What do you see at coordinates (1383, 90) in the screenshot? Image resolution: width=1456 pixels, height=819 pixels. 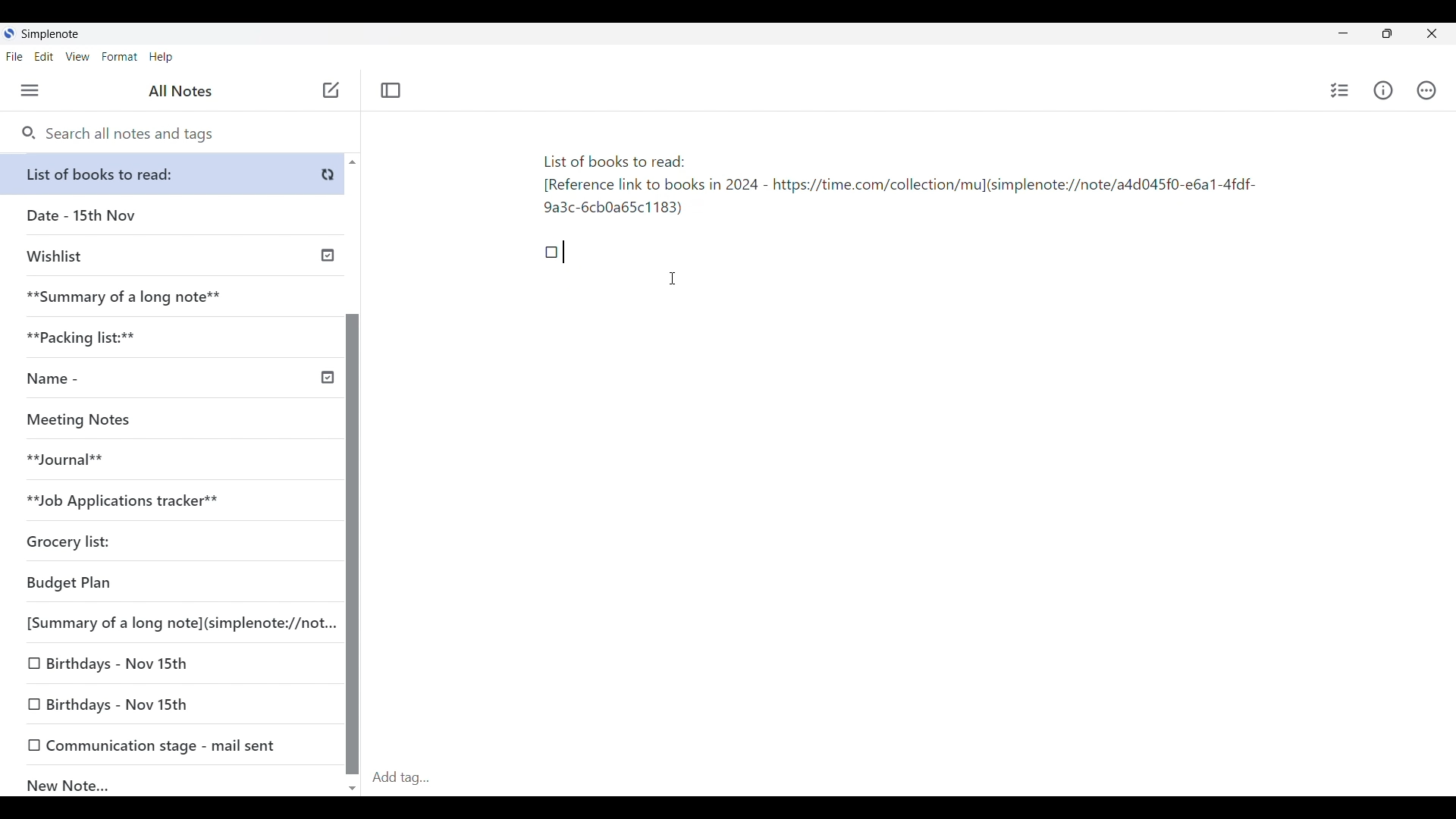 I see `Info` at bounding box center [1383, 90].